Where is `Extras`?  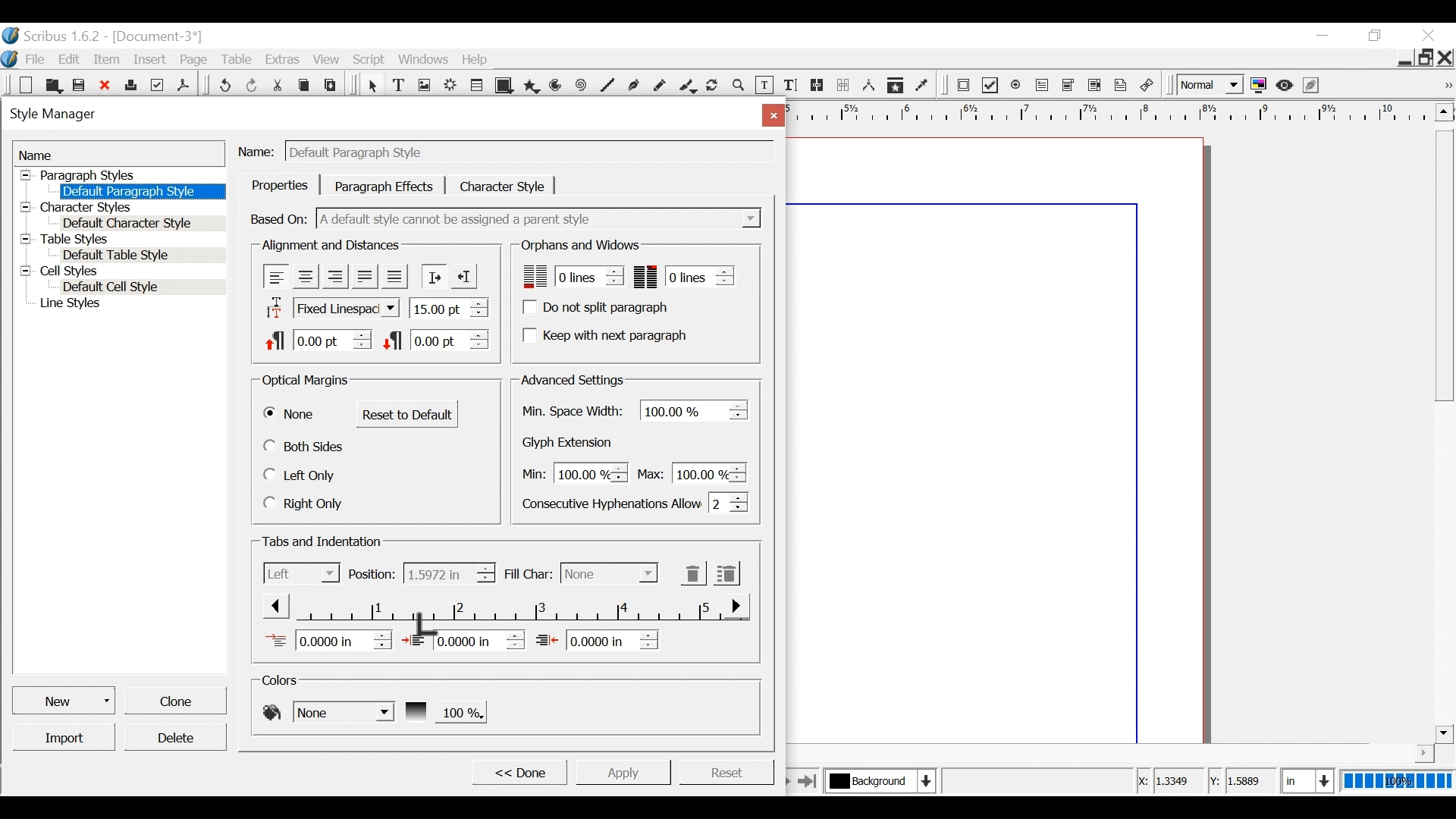 Extras is located at coordinates (281, 59).